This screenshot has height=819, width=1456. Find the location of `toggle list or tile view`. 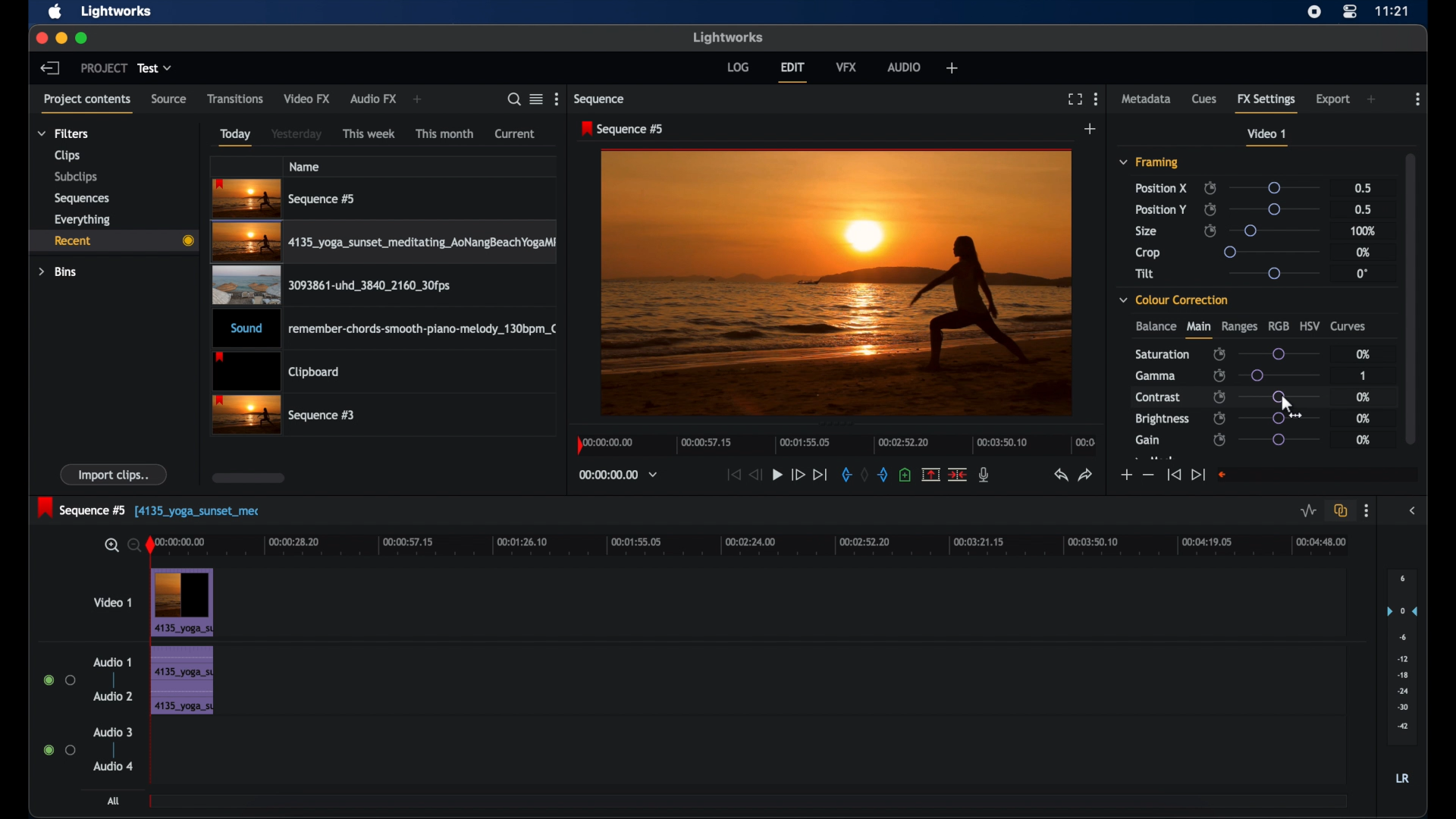

toggle list or tile view is located at coordinates (536, 99).